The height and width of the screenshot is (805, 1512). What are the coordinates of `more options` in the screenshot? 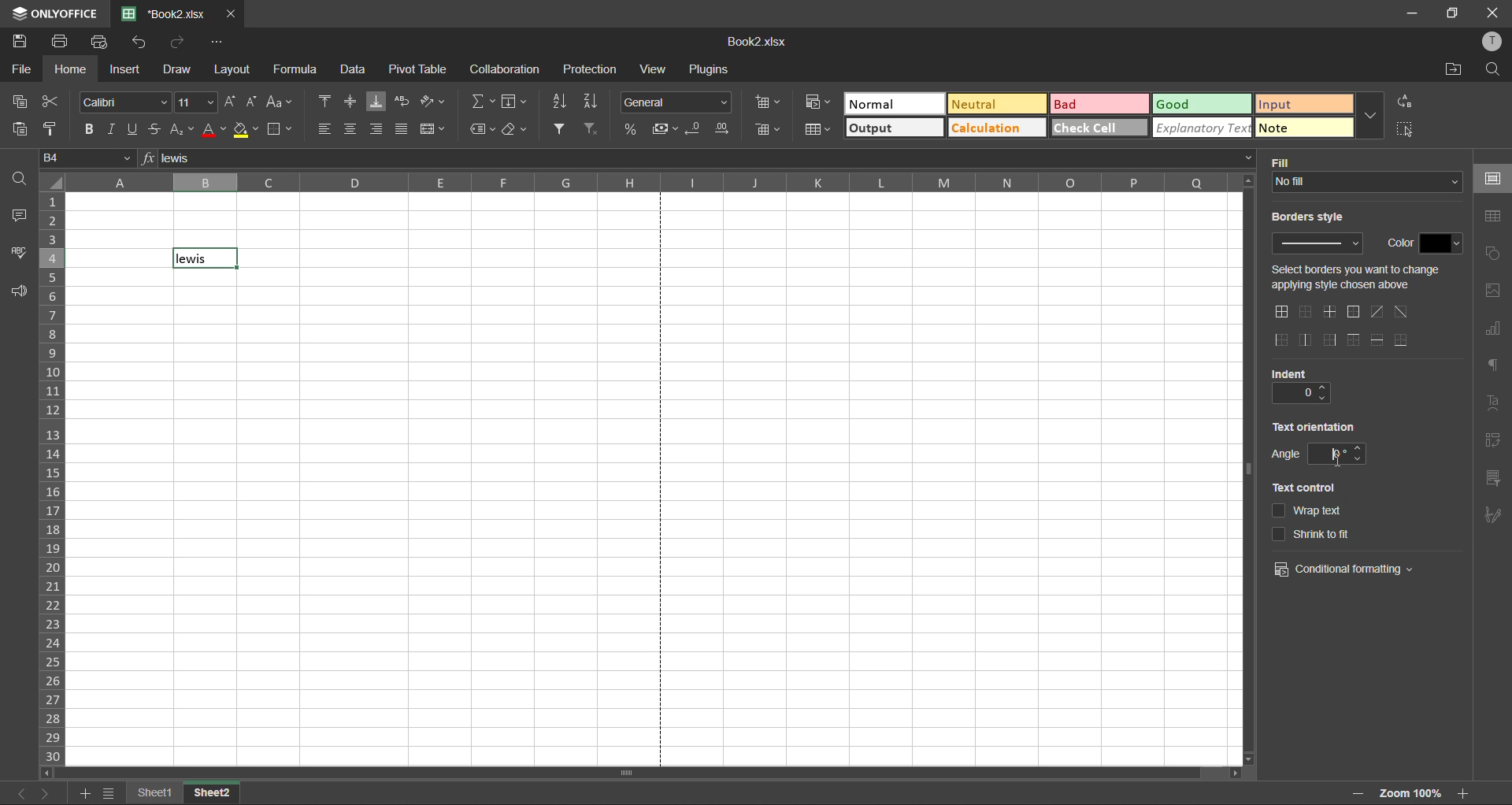 It's located at (1369, 114).